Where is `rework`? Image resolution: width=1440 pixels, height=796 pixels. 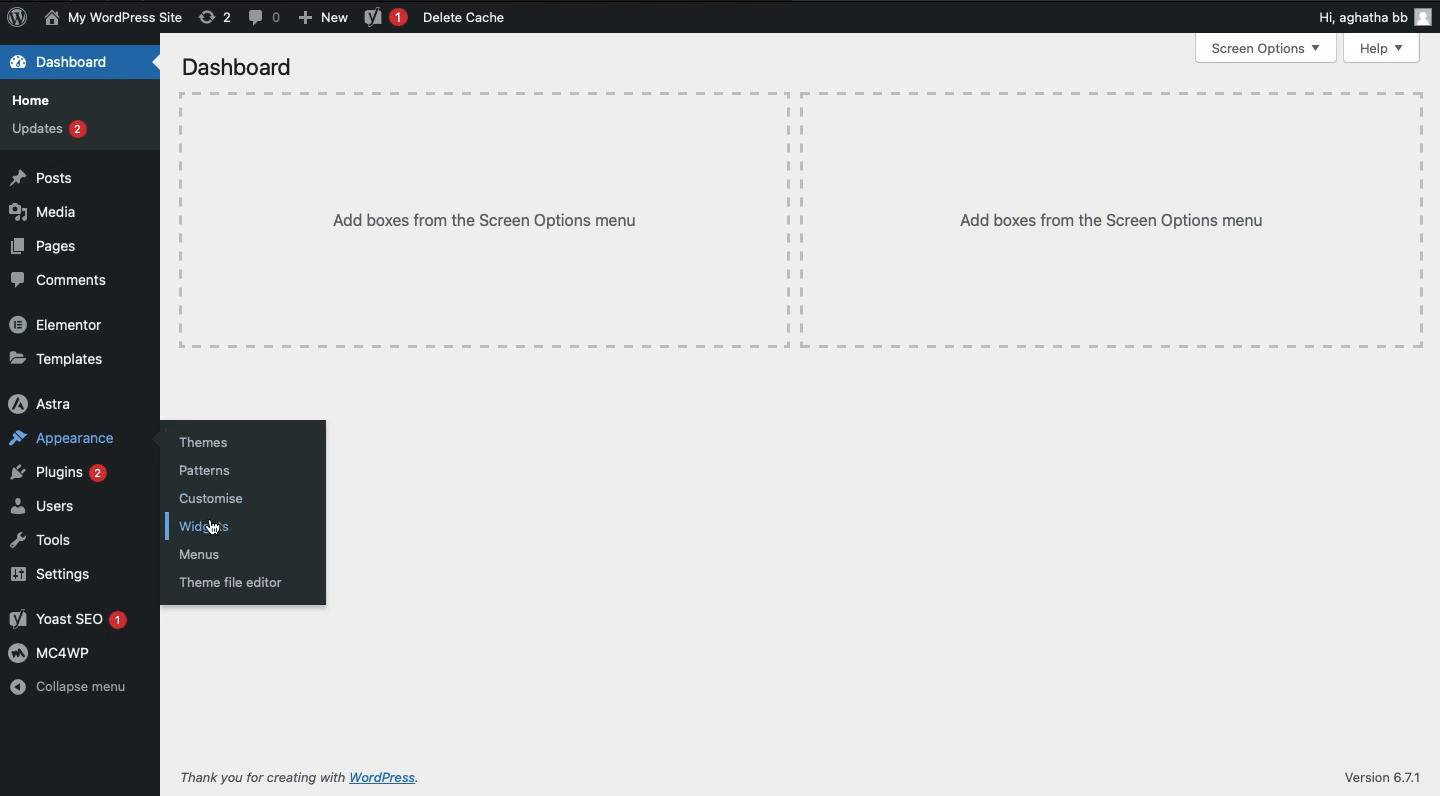
rework is located at coordinates (218, 20).